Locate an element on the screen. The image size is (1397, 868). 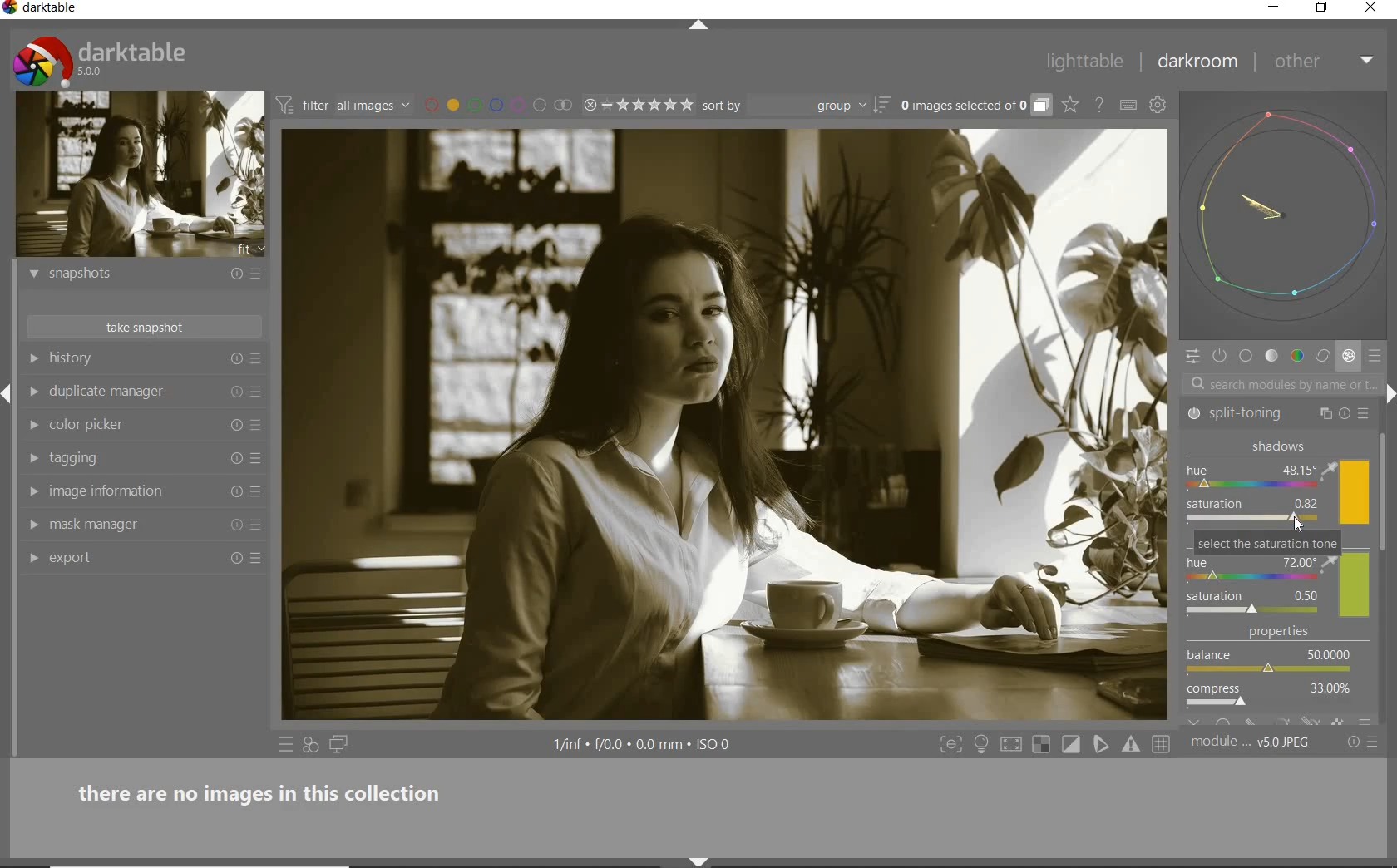
presets is located at coordinates (1366, 414).